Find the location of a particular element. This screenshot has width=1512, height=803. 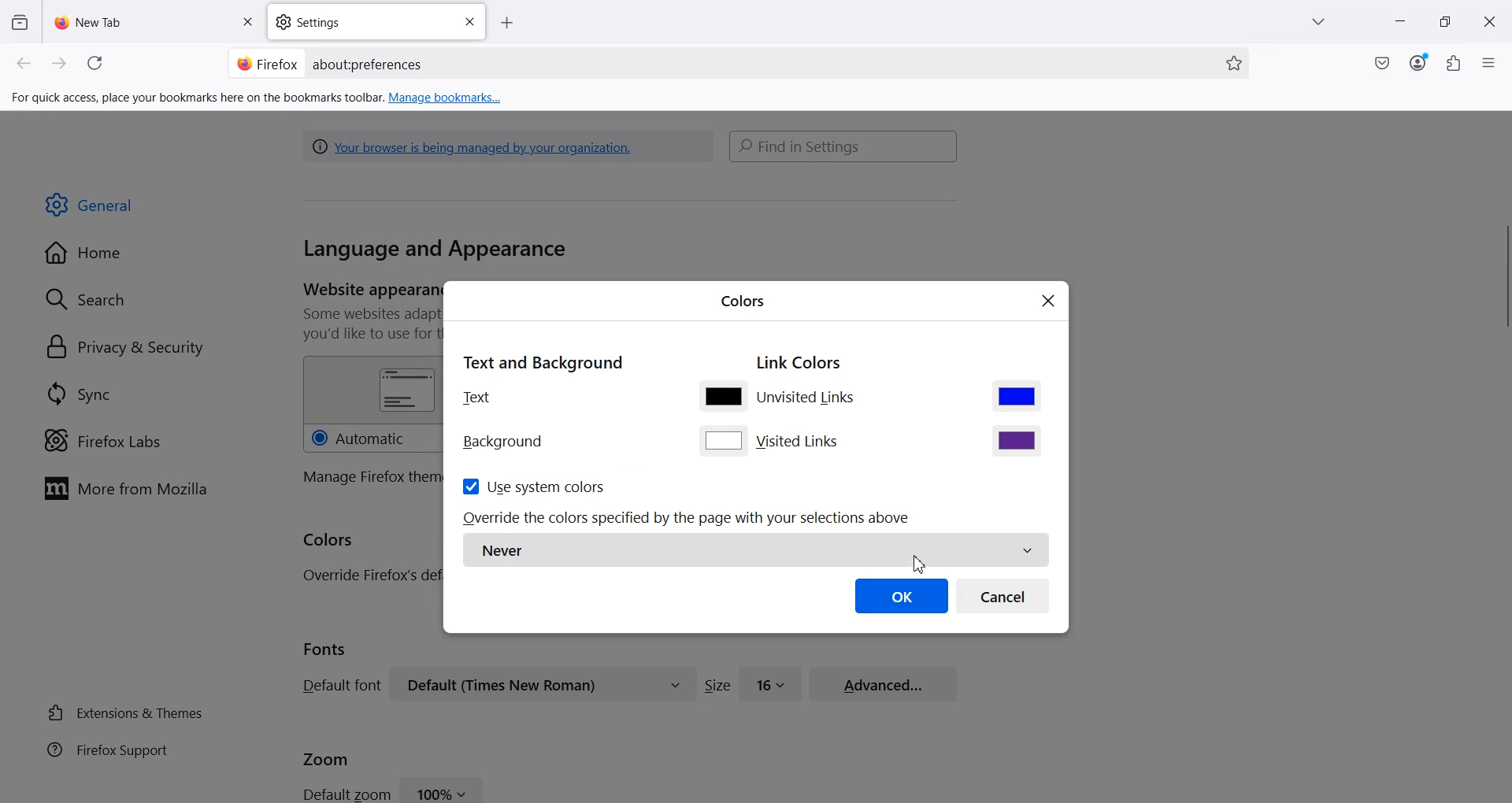

Mac Safe is located at coordinates (1382, 63).